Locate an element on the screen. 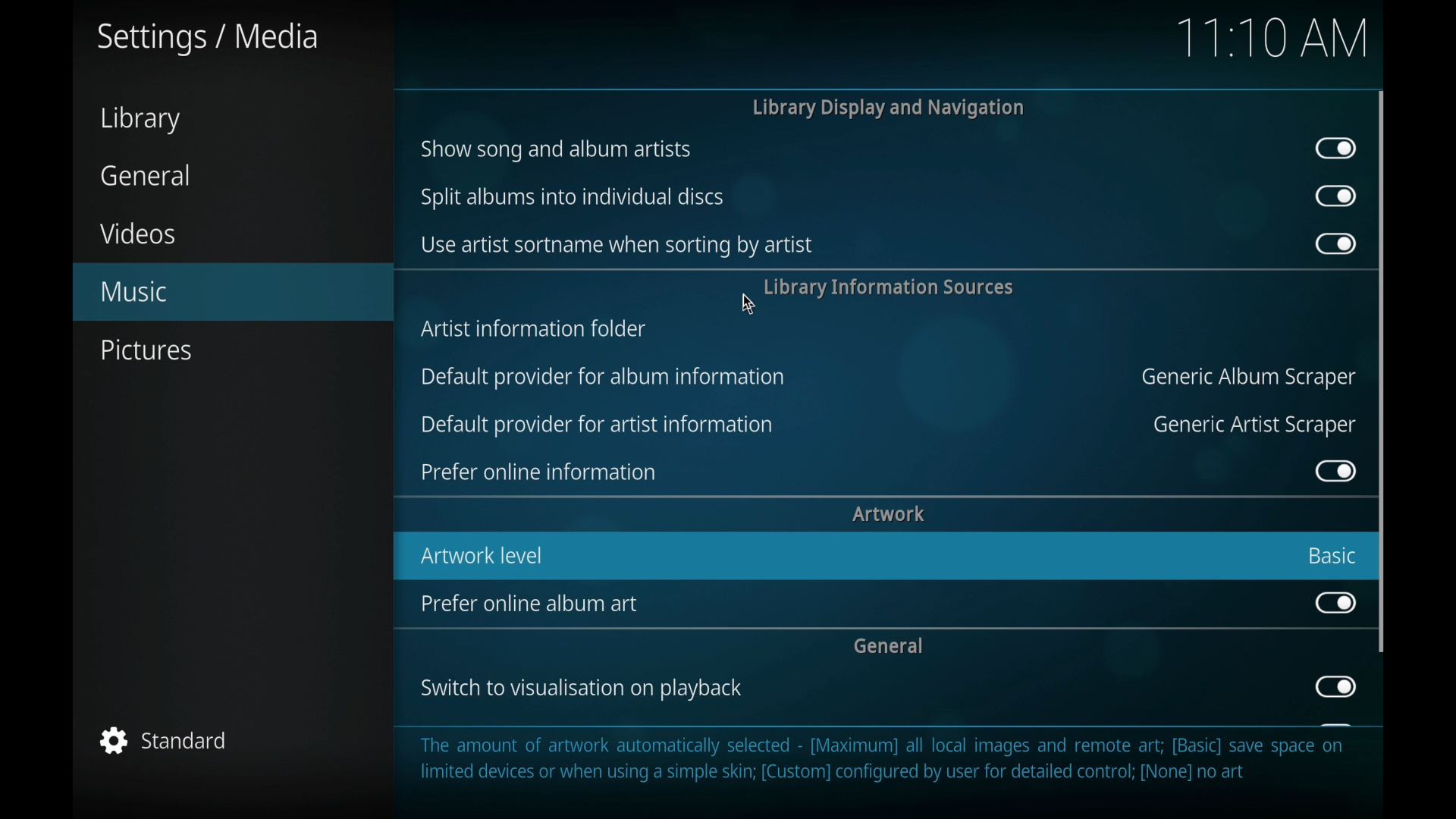  artists information folder is located at coordinates (535, 330).